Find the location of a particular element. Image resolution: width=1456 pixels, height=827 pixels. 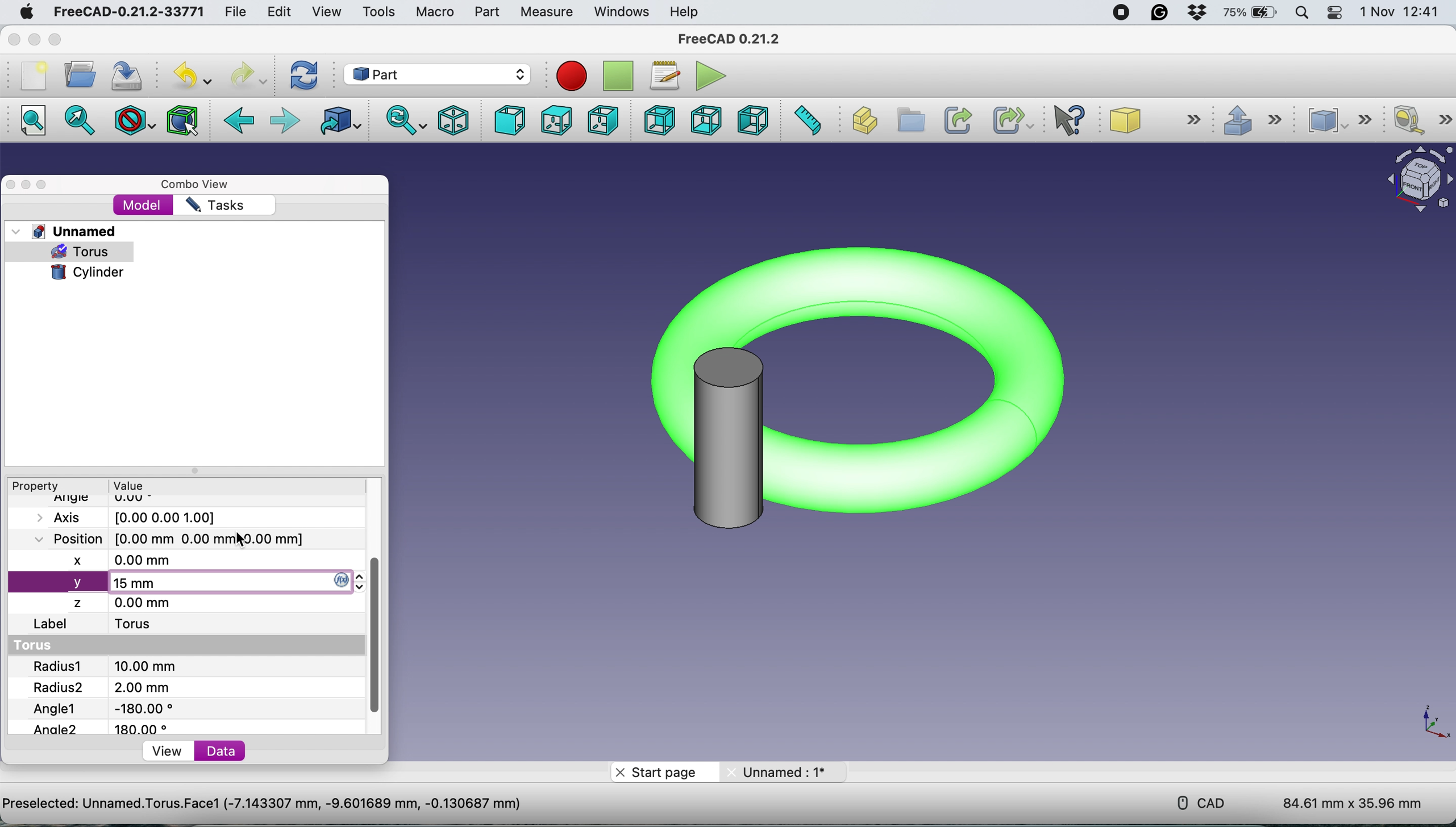

top is located at coordinates (556, 122).